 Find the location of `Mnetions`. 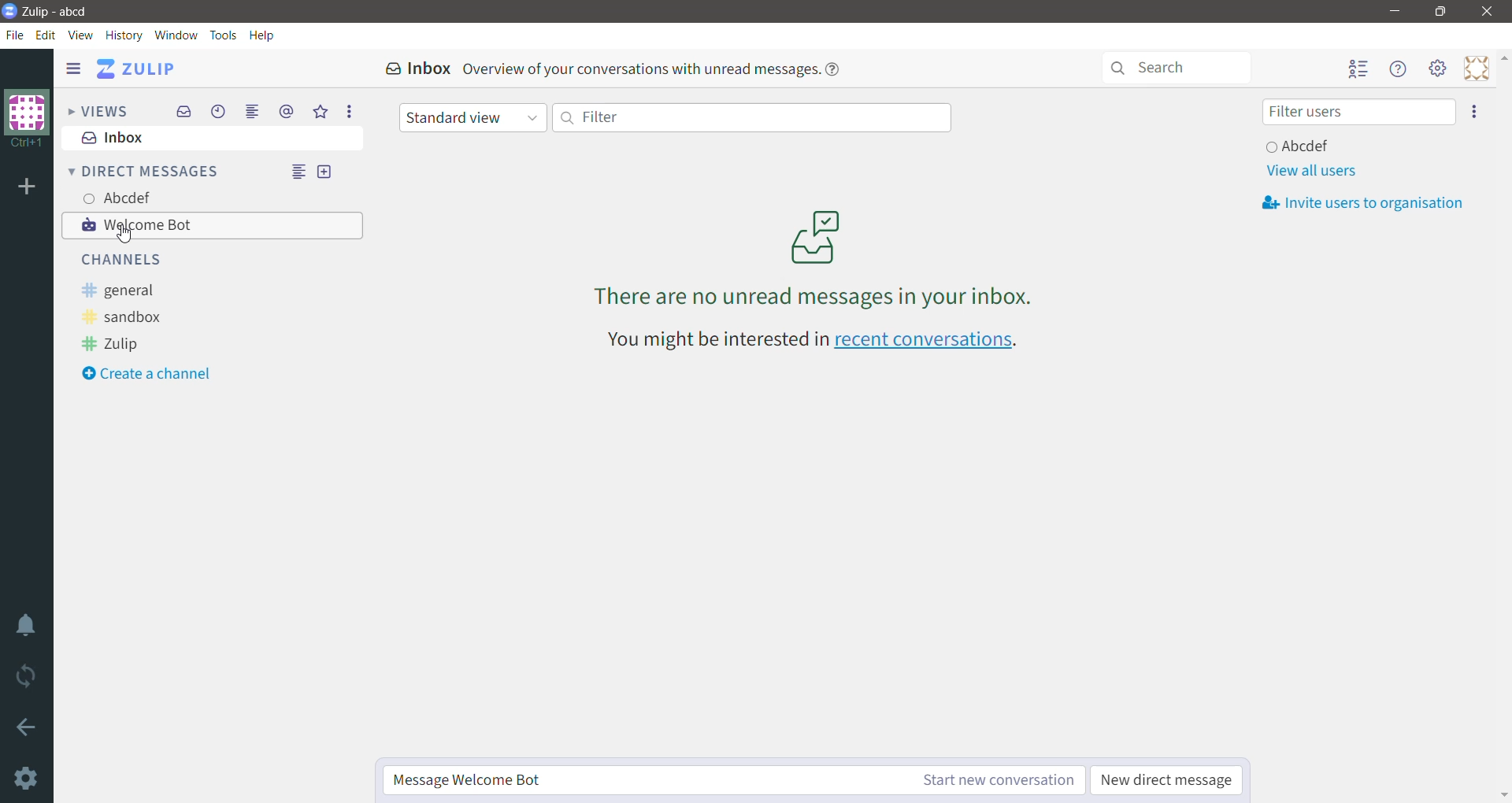

Mnetions is located at coordinates (286, 113).